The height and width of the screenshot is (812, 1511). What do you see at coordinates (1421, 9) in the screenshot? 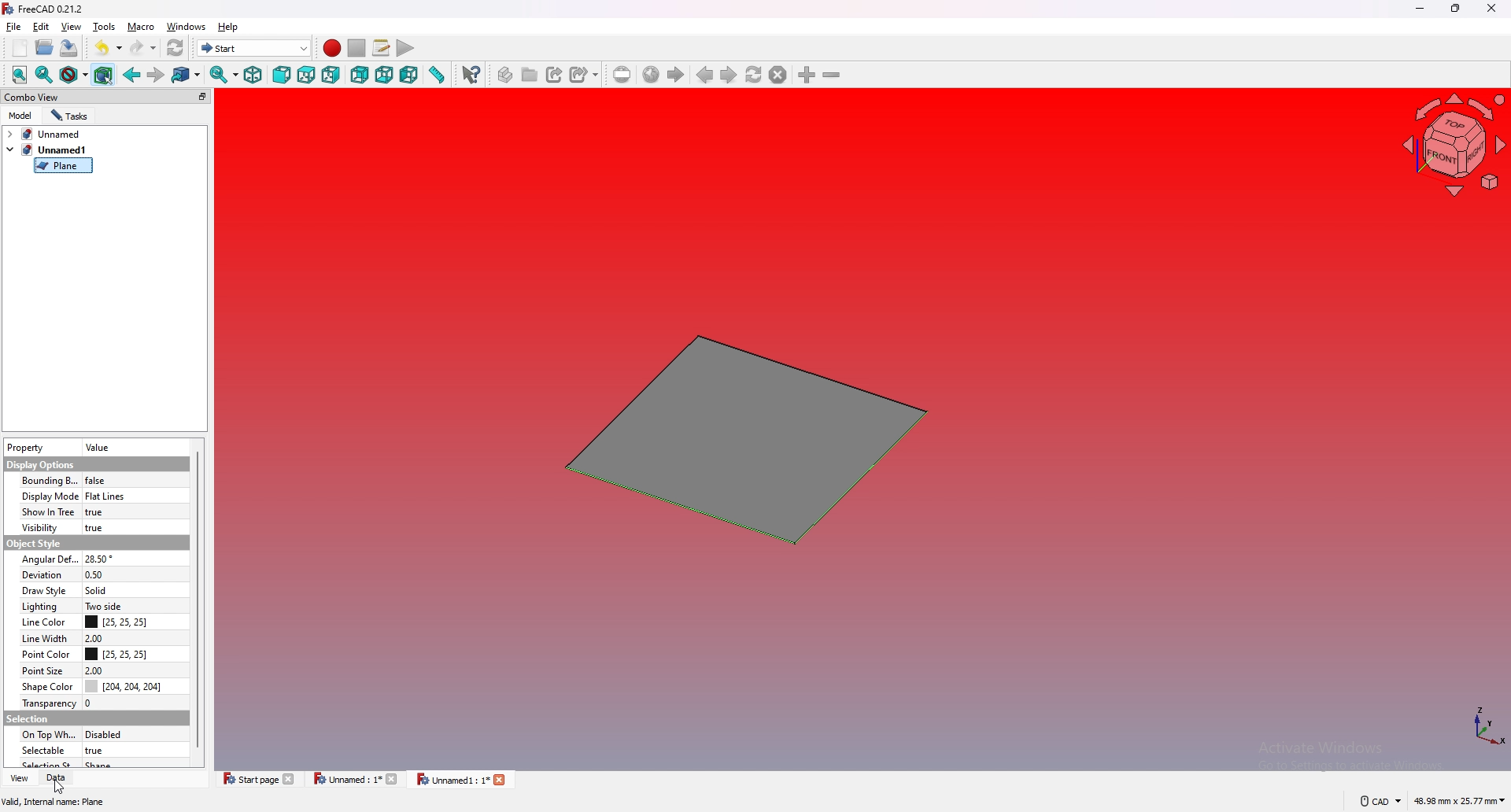
I see `minimize` at bounding box center [1421, 9].